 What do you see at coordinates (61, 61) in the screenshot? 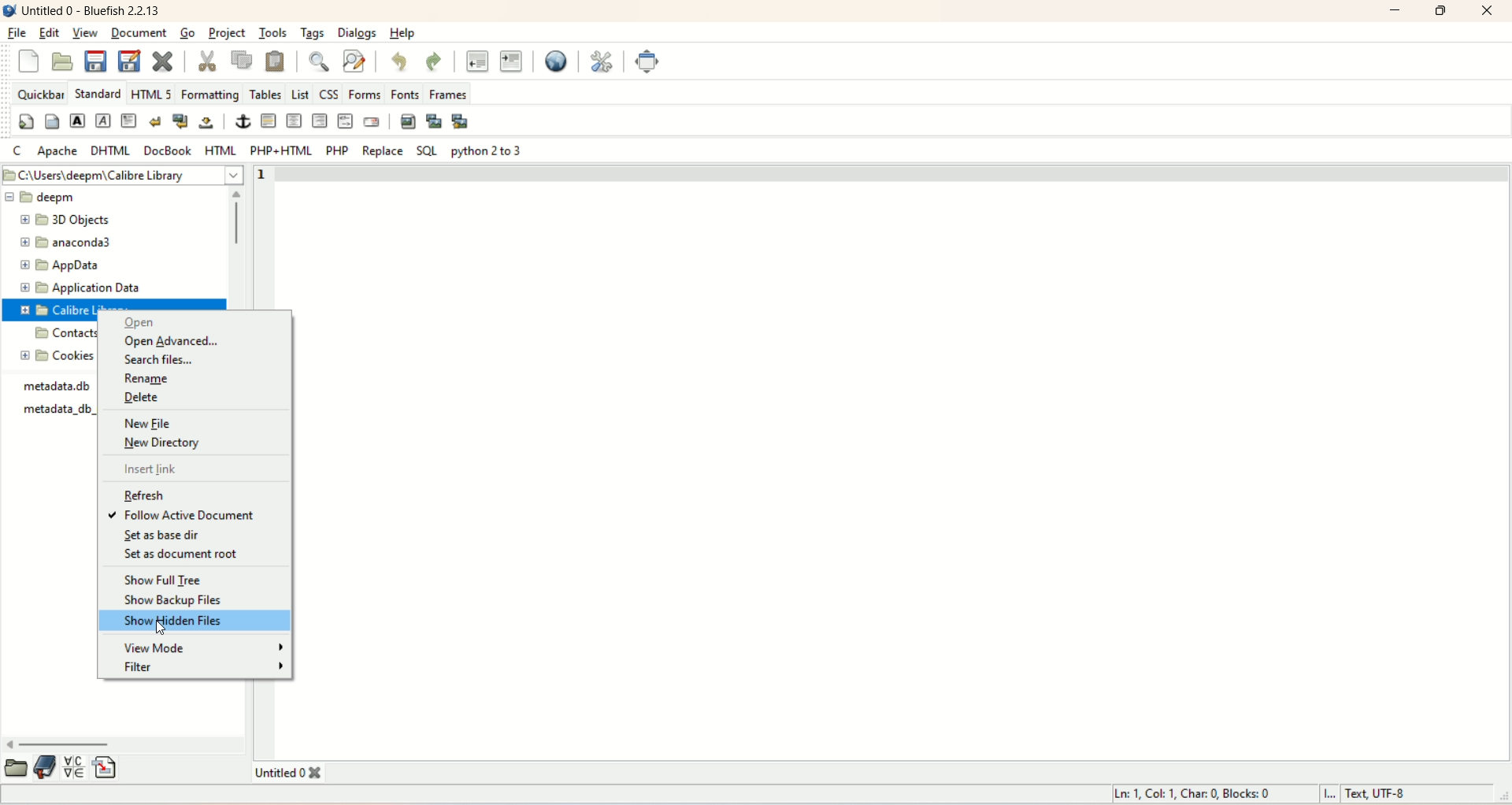
I see `open` at bounding box center [61, 61].